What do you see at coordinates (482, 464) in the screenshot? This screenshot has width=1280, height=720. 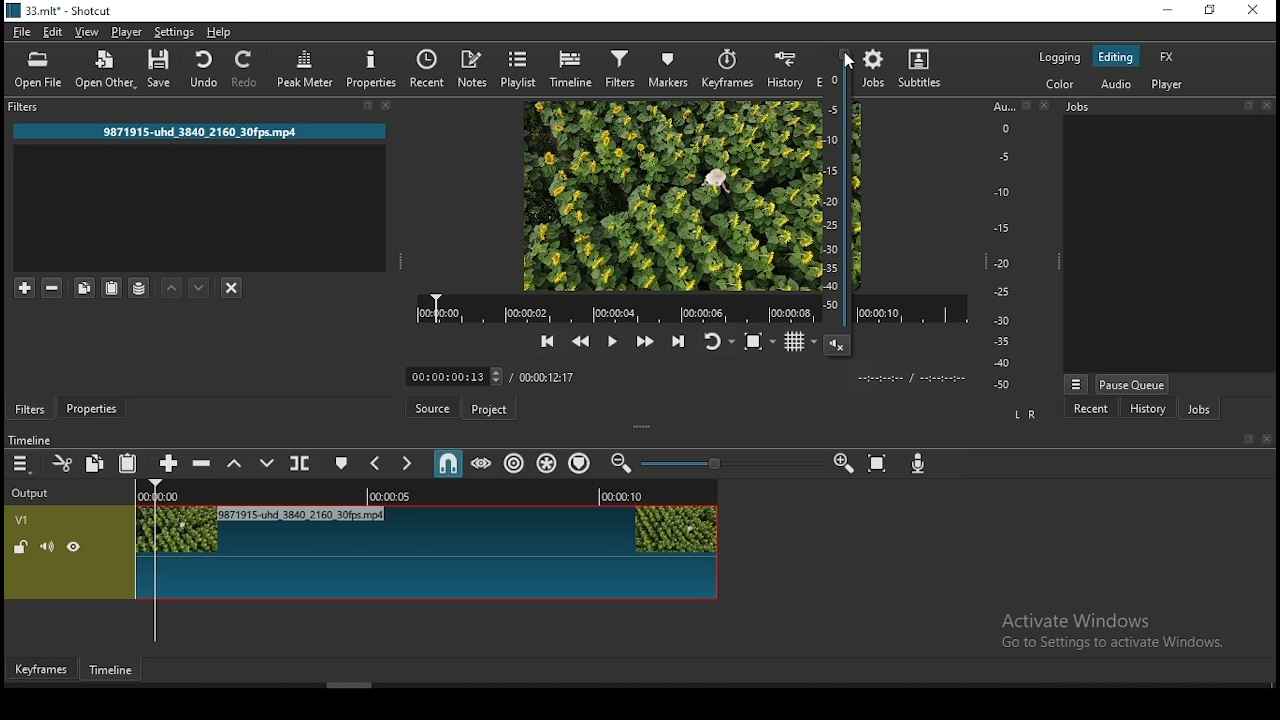 I see `scrub while dragging` at bounding box center [482, 464].